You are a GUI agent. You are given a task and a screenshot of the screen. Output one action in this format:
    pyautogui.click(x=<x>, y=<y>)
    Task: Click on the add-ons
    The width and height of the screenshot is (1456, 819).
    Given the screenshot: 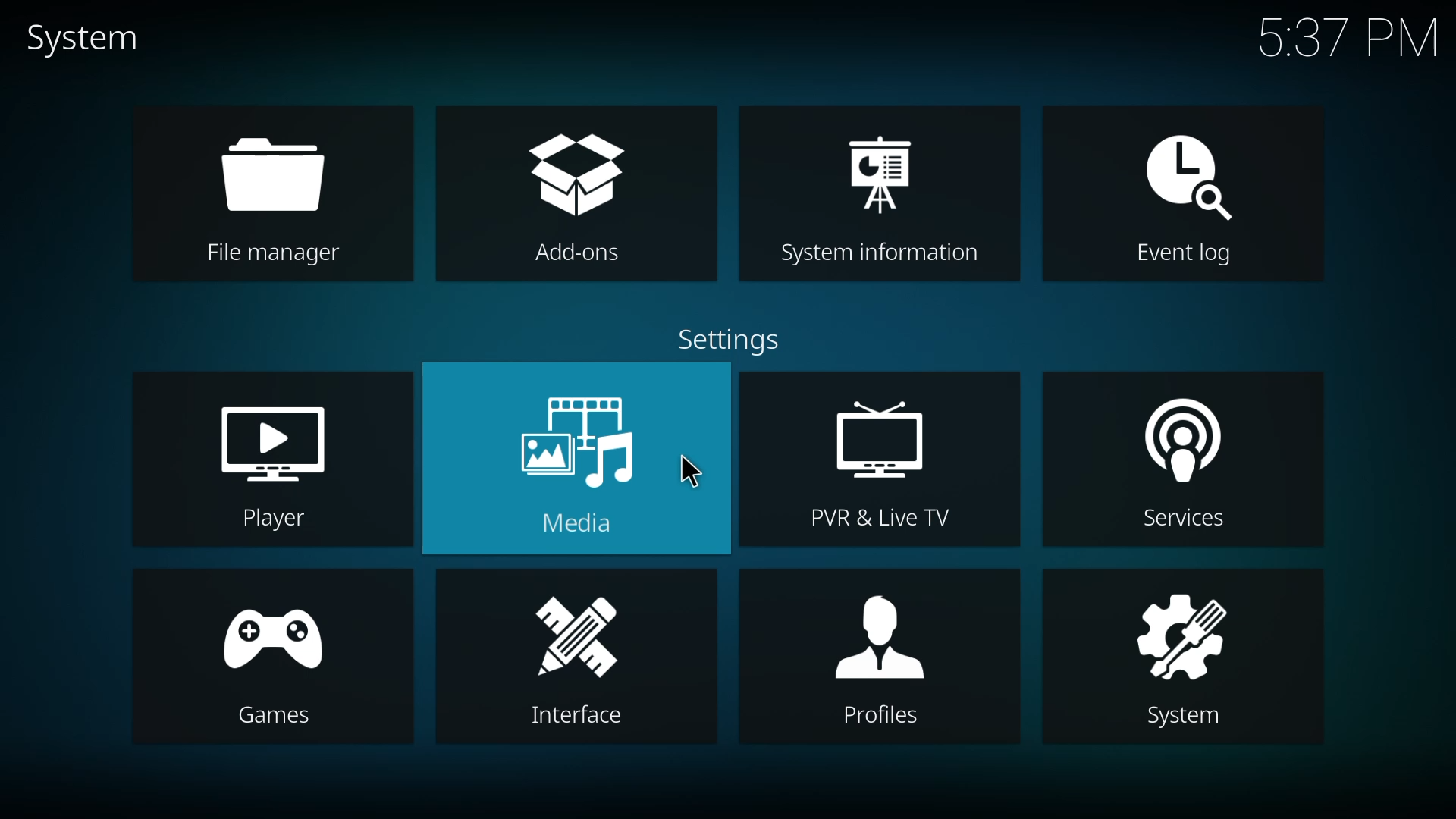 What is the action you would take?
    pyautogui.click(x=575, y=177)
    